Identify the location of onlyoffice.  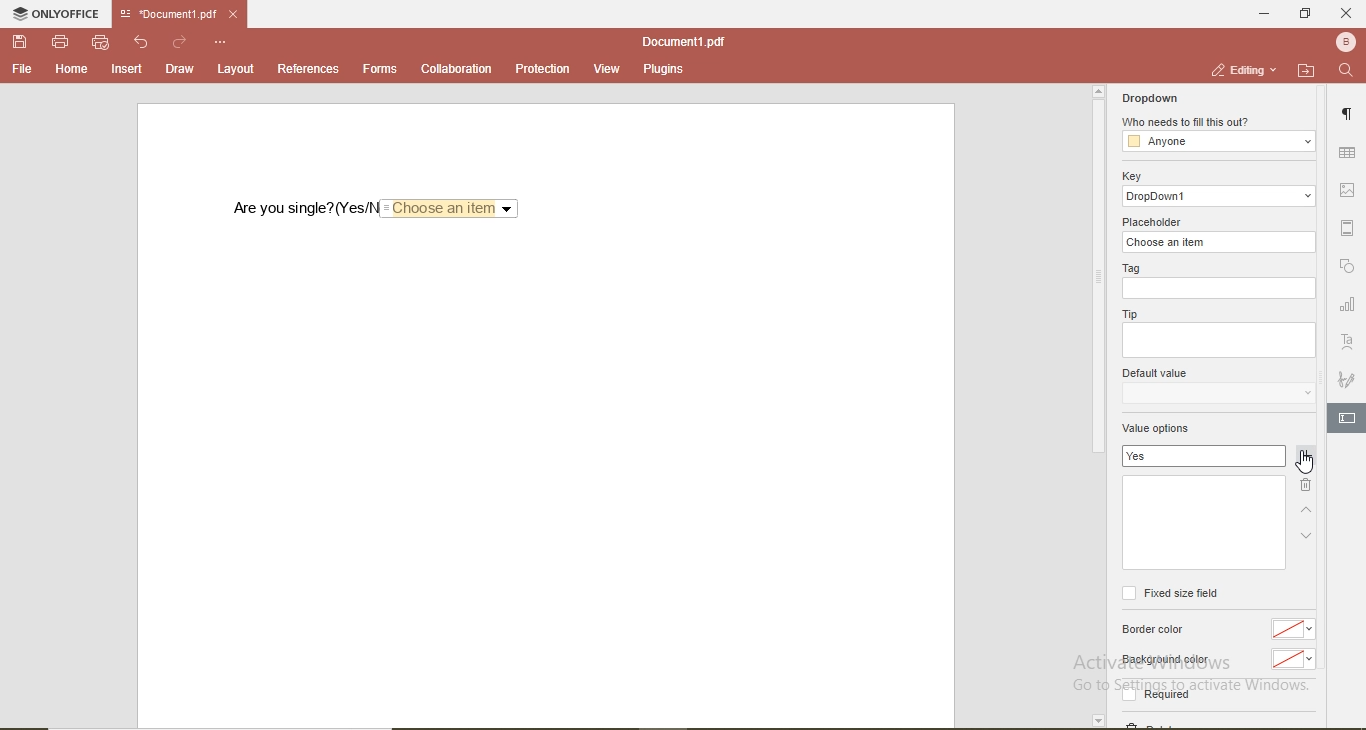
(61, 13).